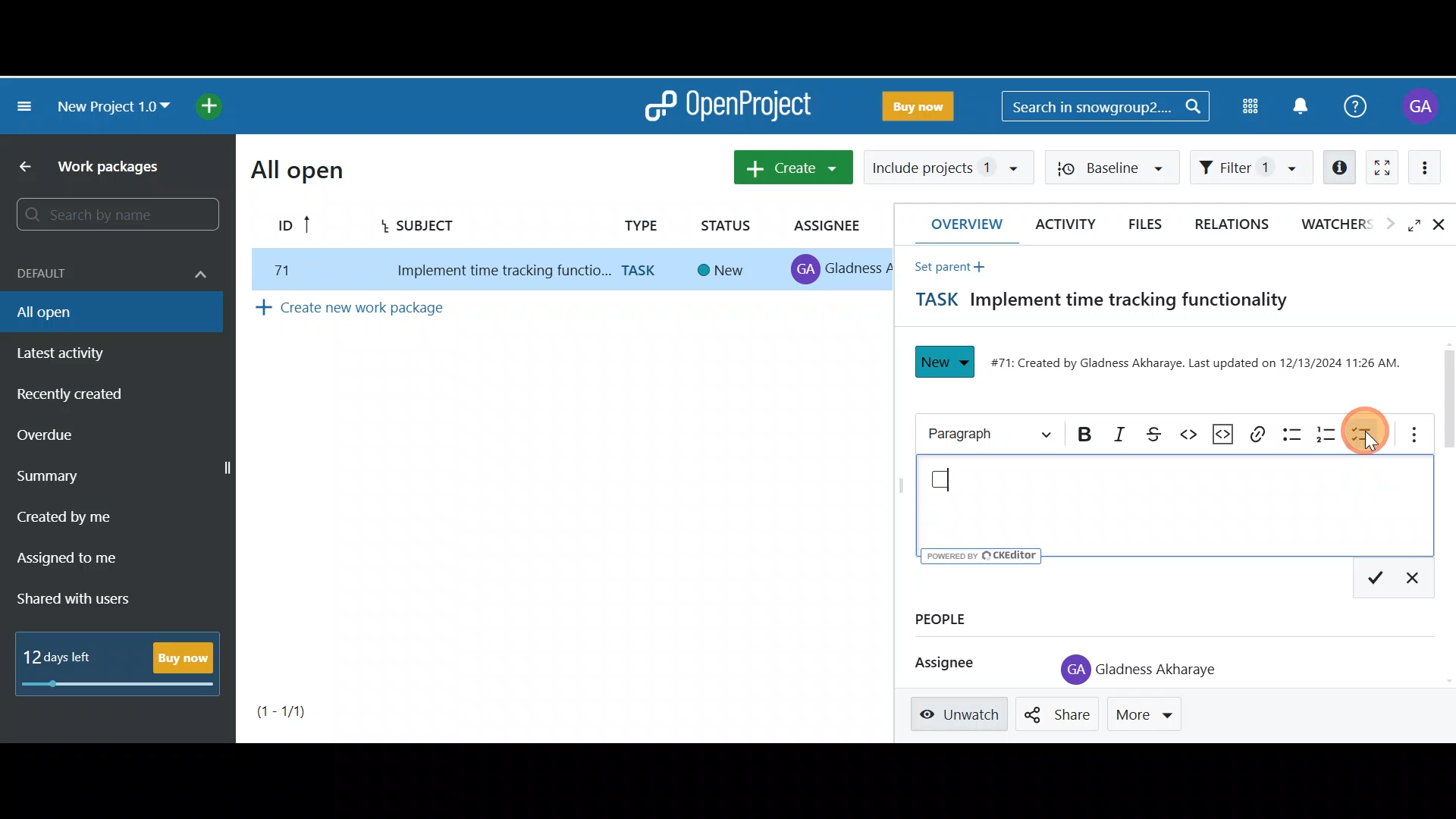 The image size is (1456, 819). What do you see at coordinates (1447, 394) in the screenshot?
I see `Scroll bar` at bounding box center [1447, 394].